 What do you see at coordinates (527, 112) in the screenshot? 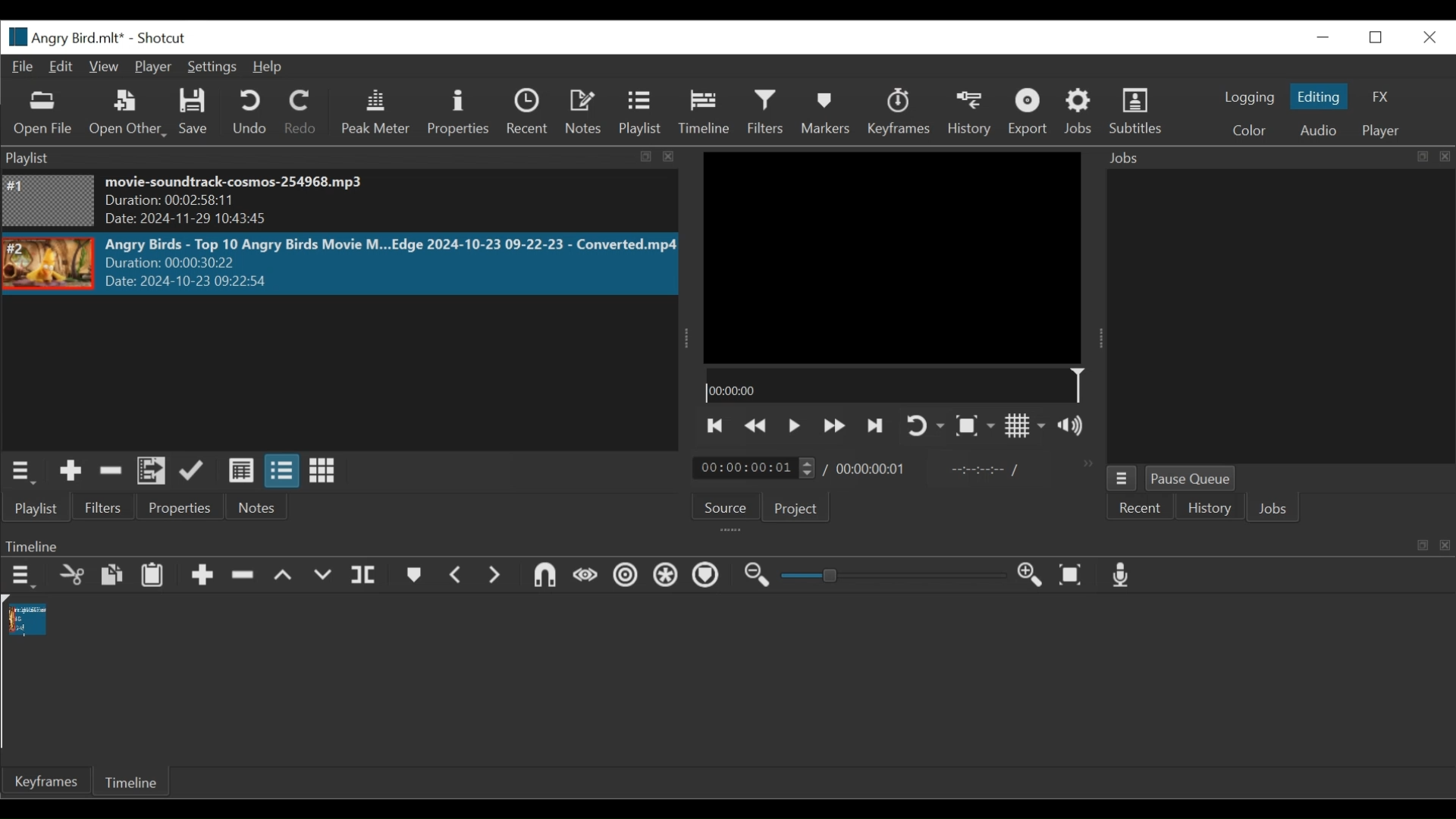
I see `Recent` at bounding box center [527, 112].